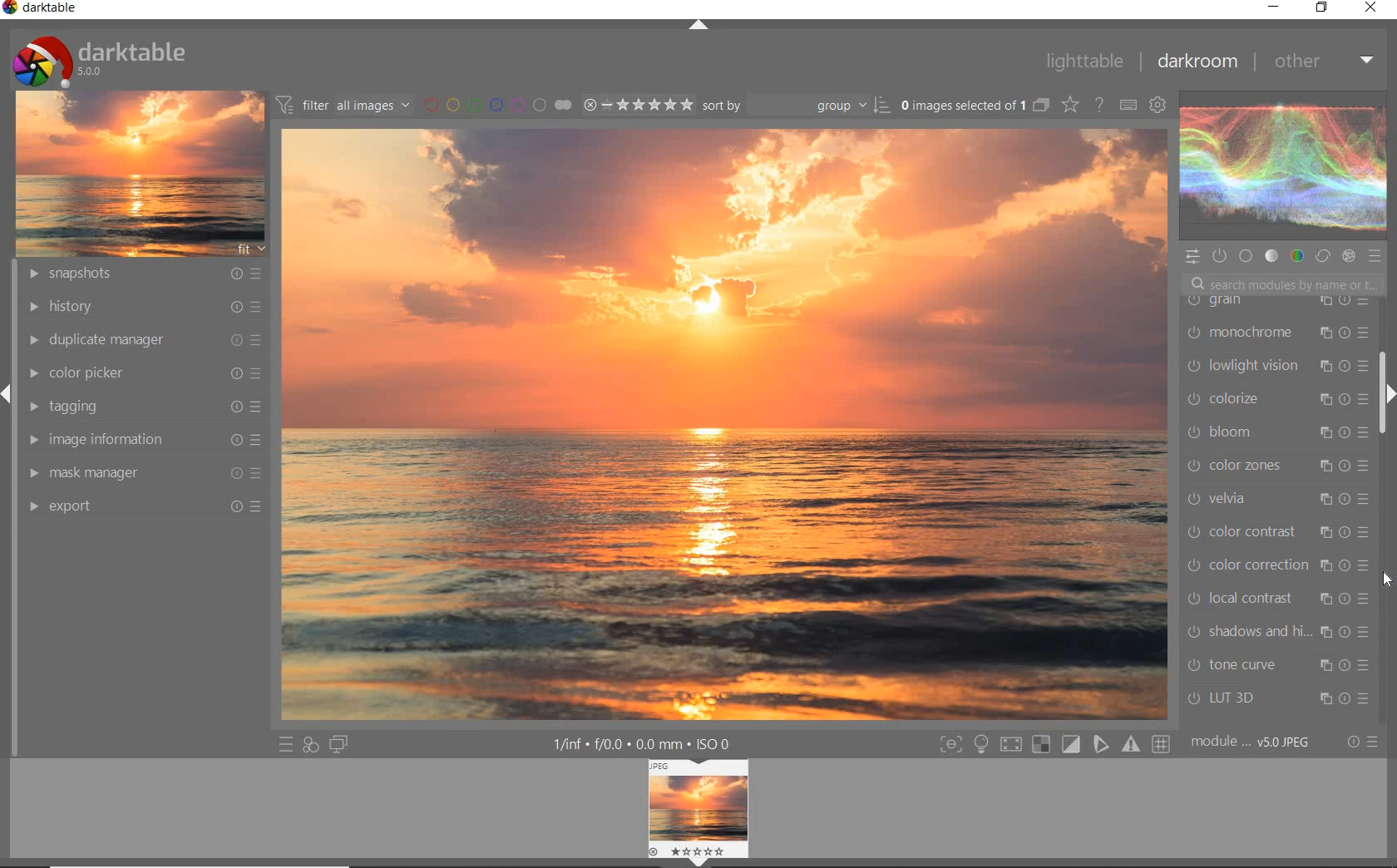 Image resolution: width=1397 pixels, height=868 pixels. What do you see at coordinates (1276, 603) in the screenshot?
I see `local contrast` at bounding box center [1276, 603].